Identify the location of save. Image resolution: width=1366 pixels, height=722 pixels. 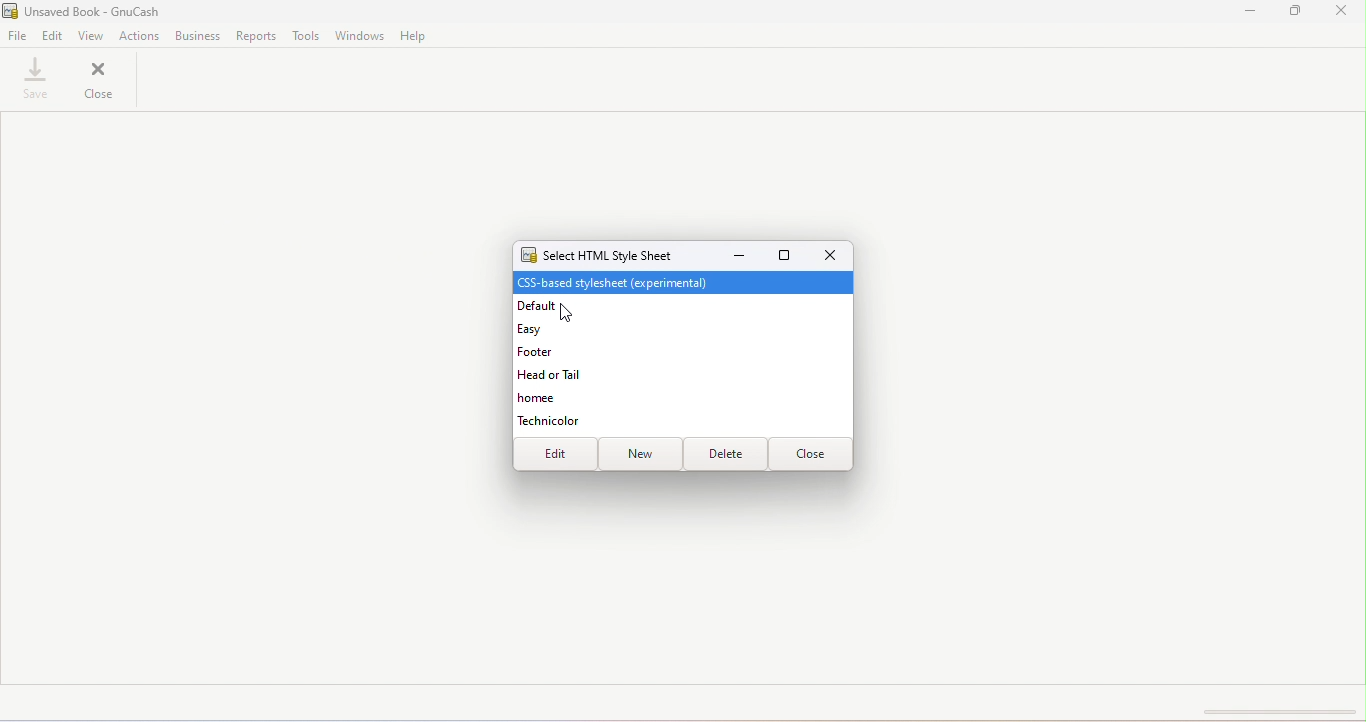
(36, 83).